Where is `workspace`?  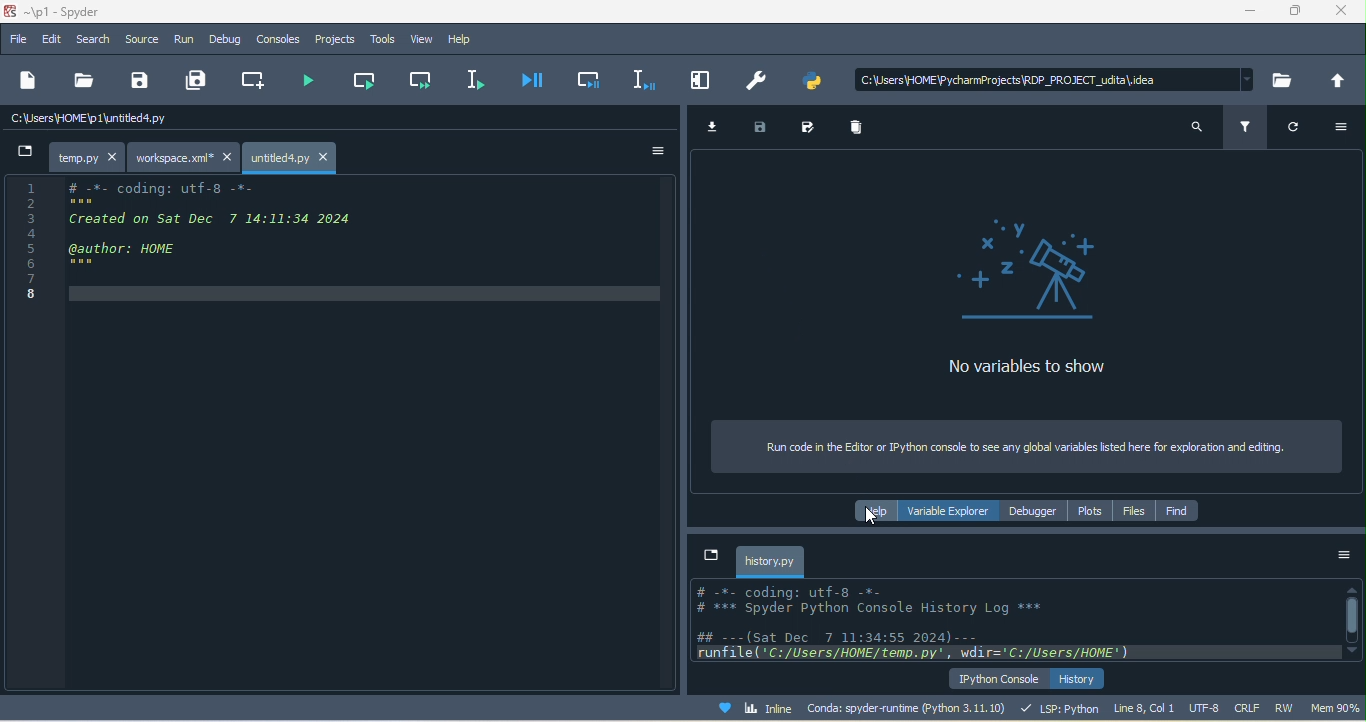 workspace is located at coordinates (185, 159).